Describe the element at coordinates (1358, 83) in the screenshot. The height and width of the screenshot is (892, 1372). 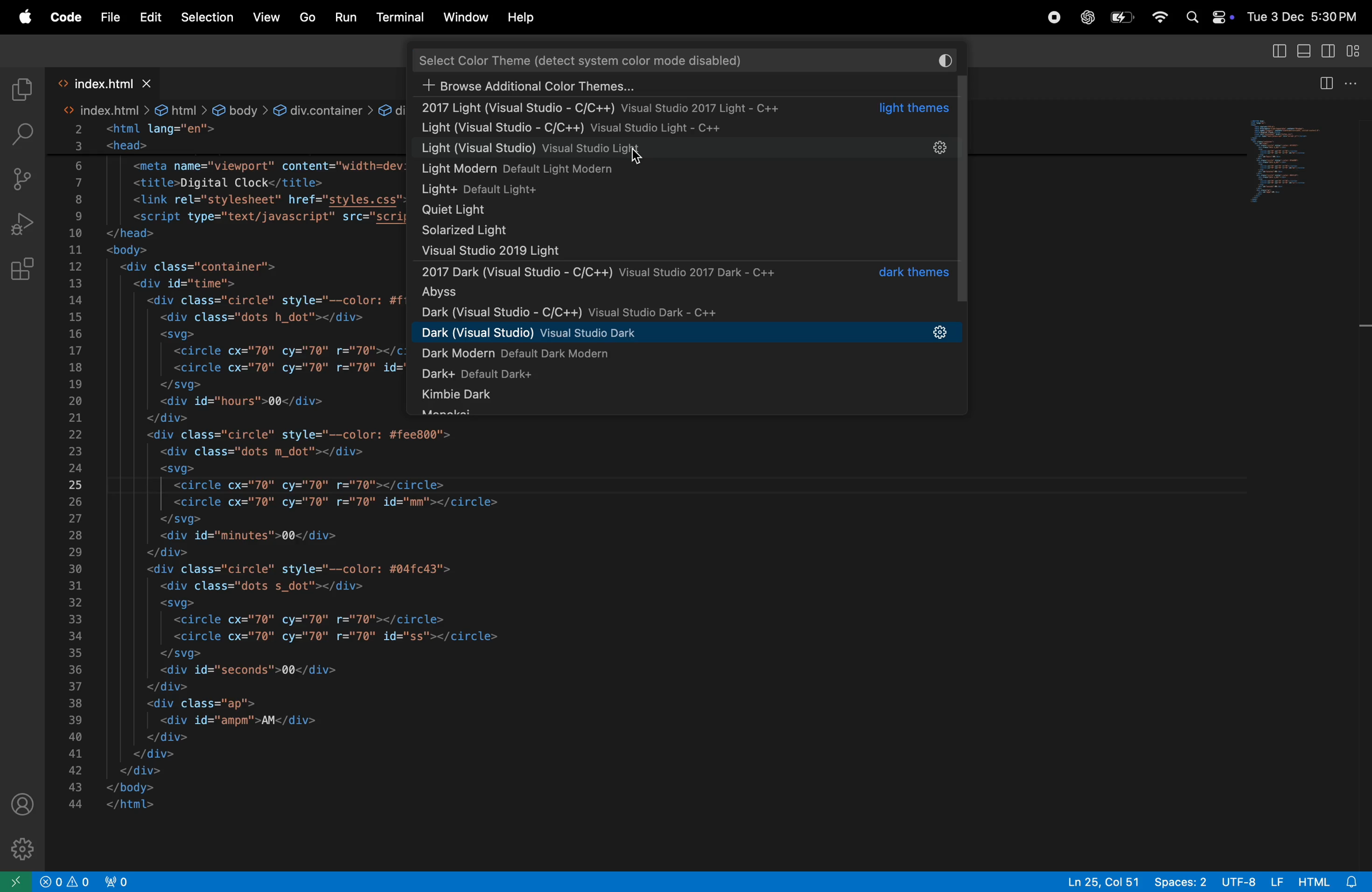
I see `More actions` at that location.